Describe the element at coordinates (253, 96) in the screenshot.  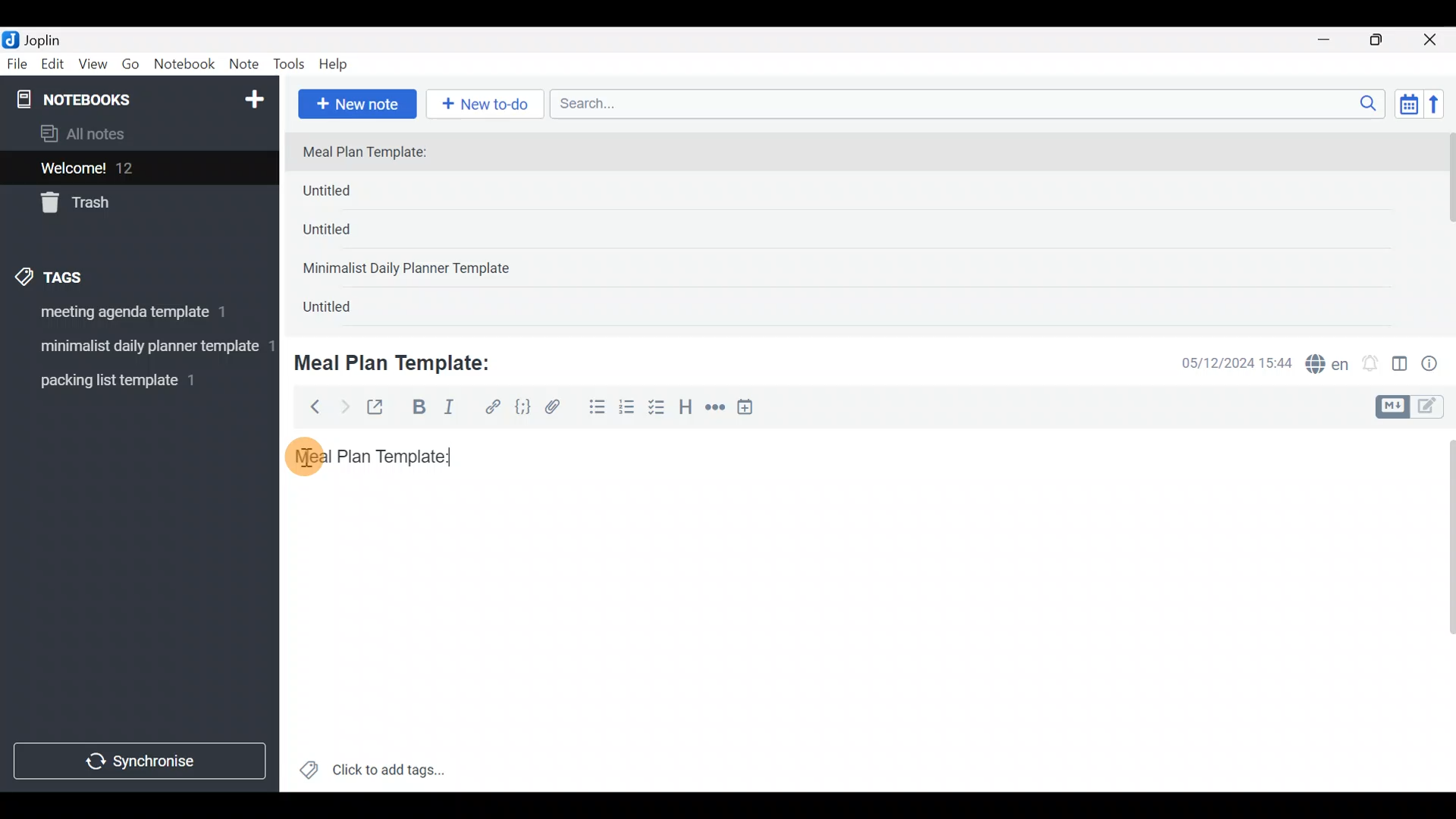
I see `New` at that location.